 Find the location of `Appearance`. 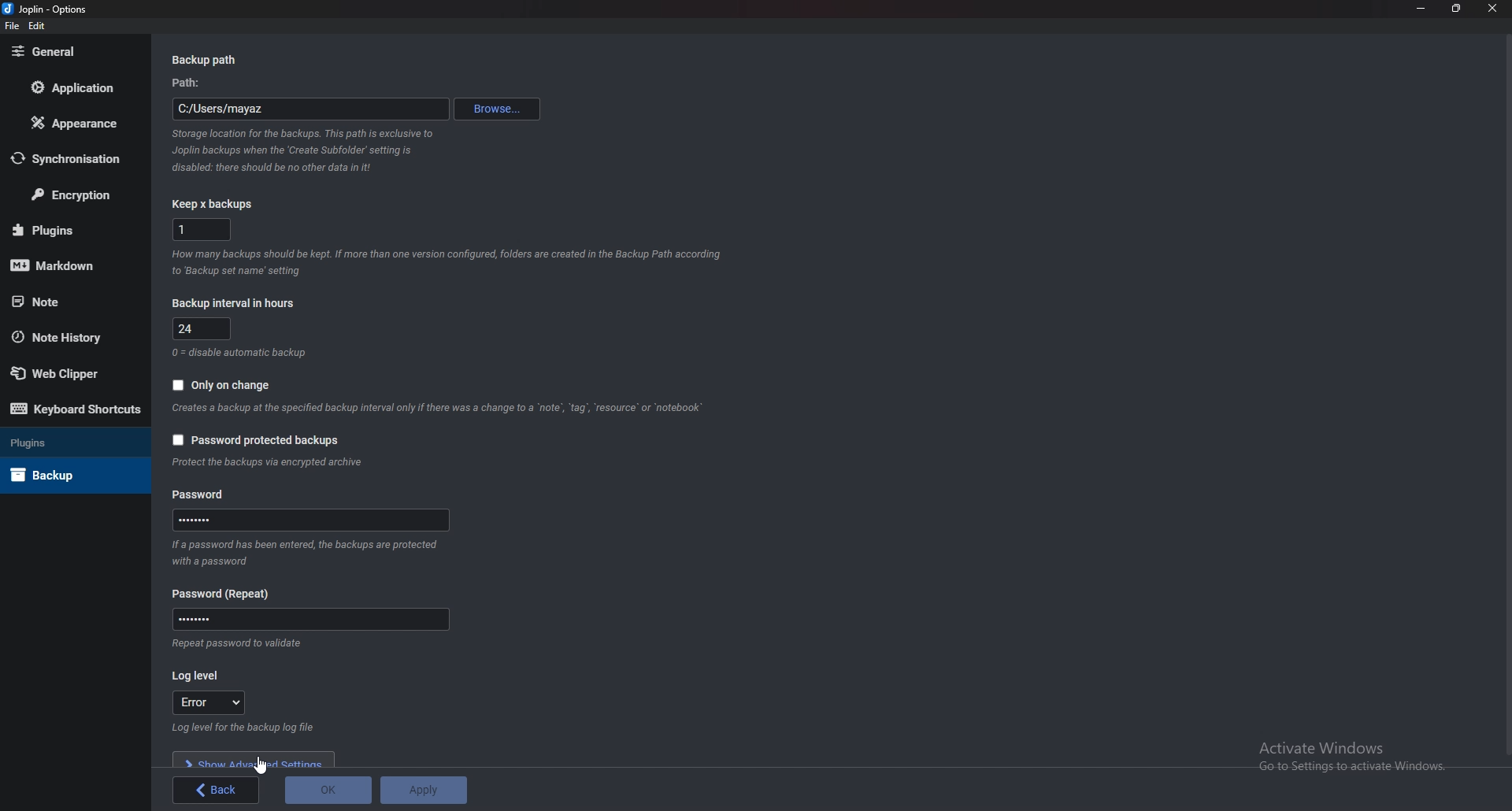

Appearance is located at coordinates (70, 124).